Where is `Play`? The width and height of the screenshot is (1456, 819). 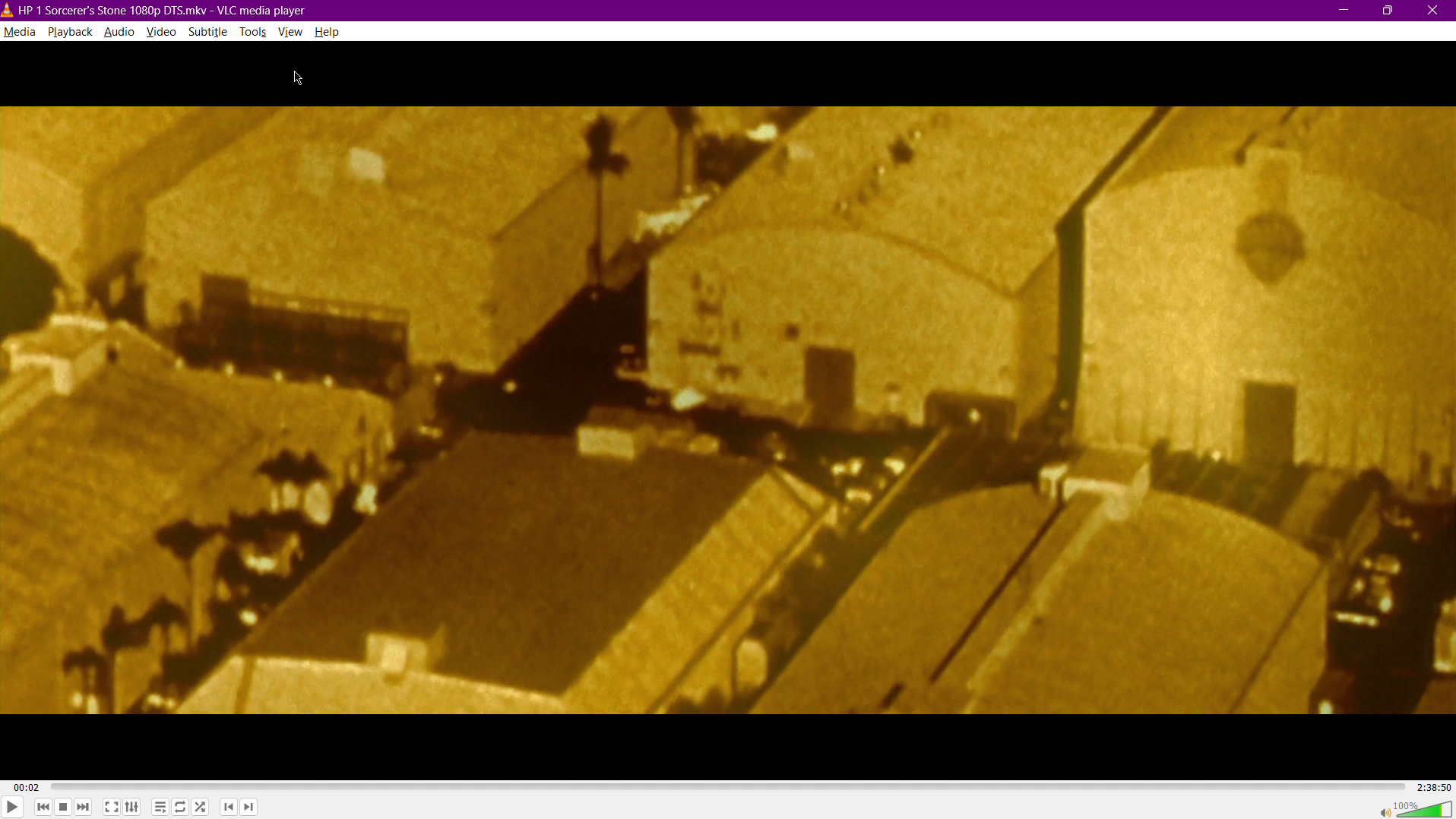
Play is located at coordinates (12, 805).